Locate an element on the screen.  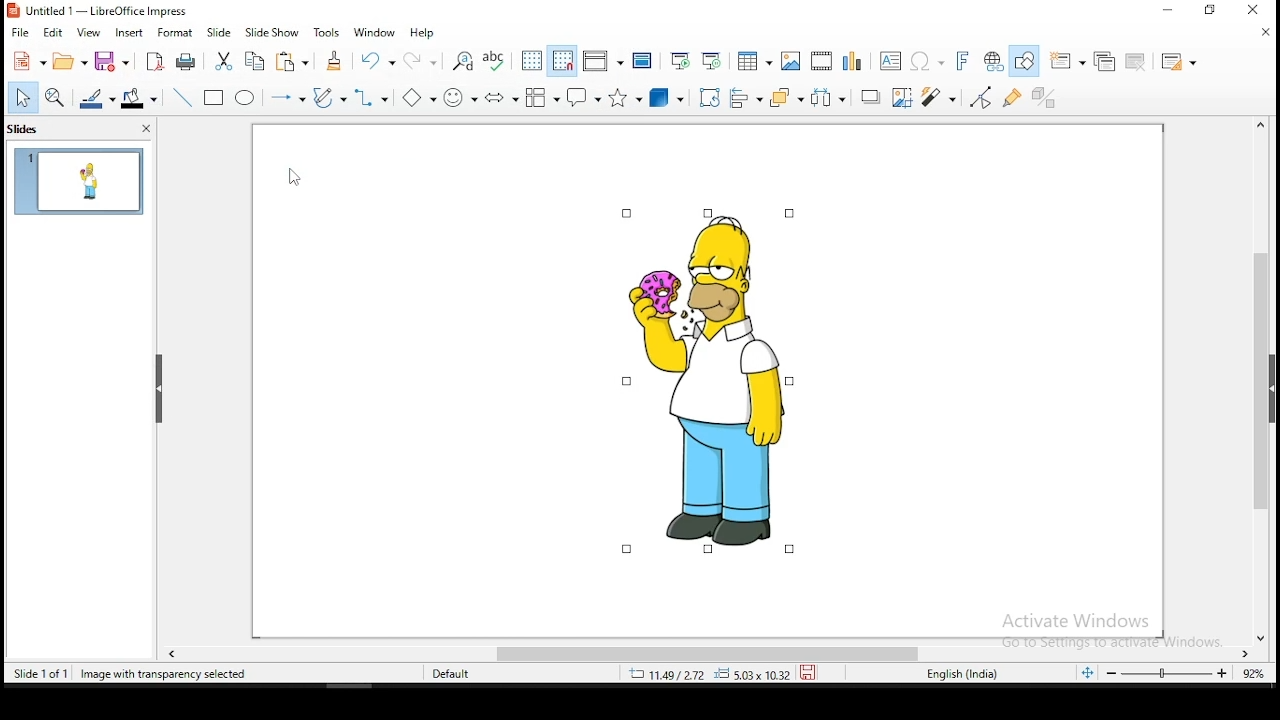
copy is located at coordinates (259, 62).